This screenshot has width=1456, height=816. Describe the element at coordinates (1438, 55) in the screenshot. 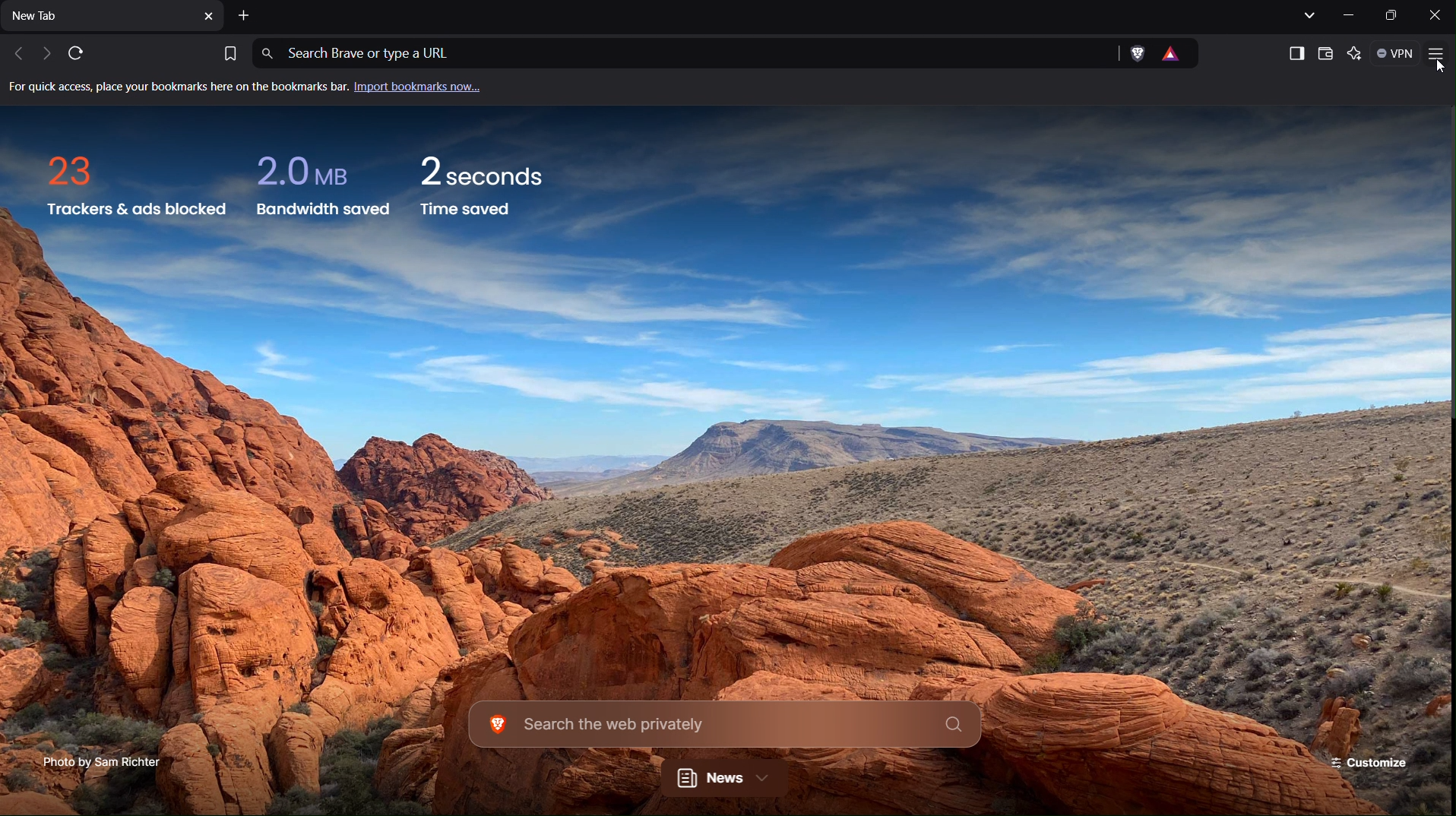

I see `Application Menu` at that location.